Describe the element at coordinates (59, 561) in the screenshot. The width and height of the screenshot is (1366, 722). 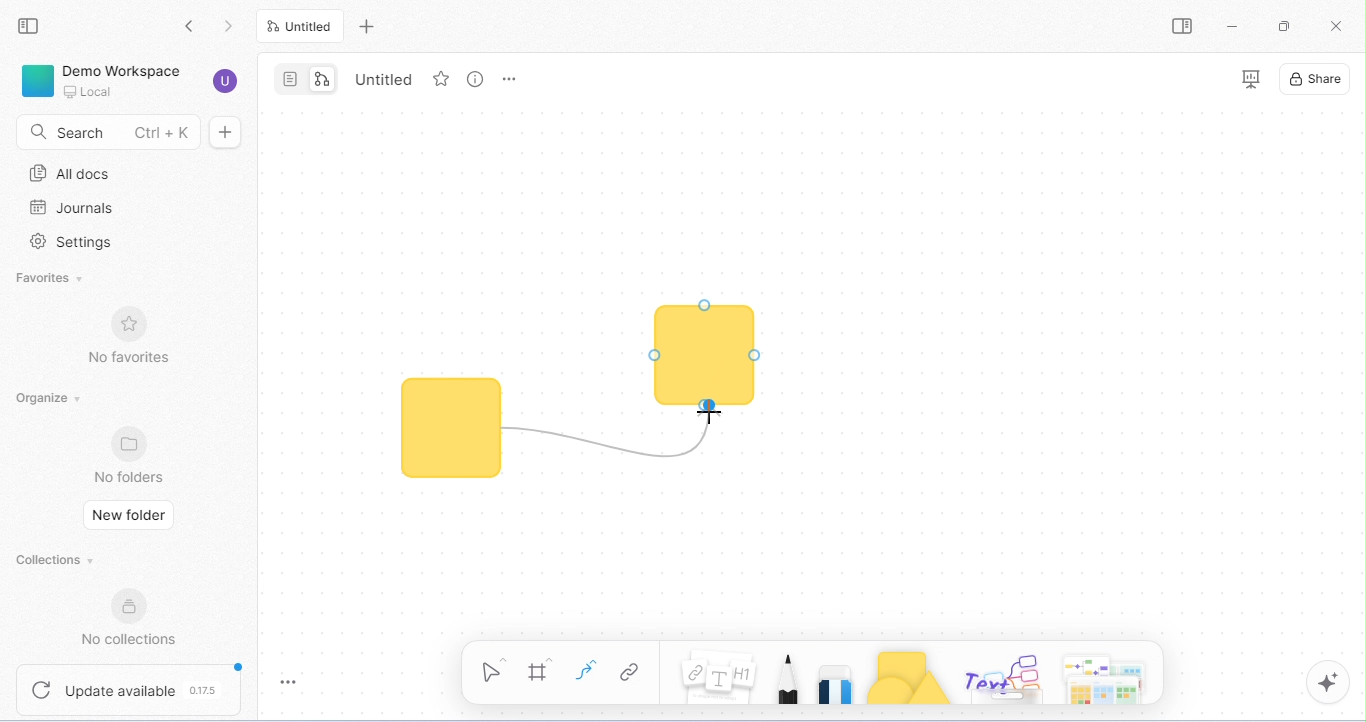
I see `collections` at that location.